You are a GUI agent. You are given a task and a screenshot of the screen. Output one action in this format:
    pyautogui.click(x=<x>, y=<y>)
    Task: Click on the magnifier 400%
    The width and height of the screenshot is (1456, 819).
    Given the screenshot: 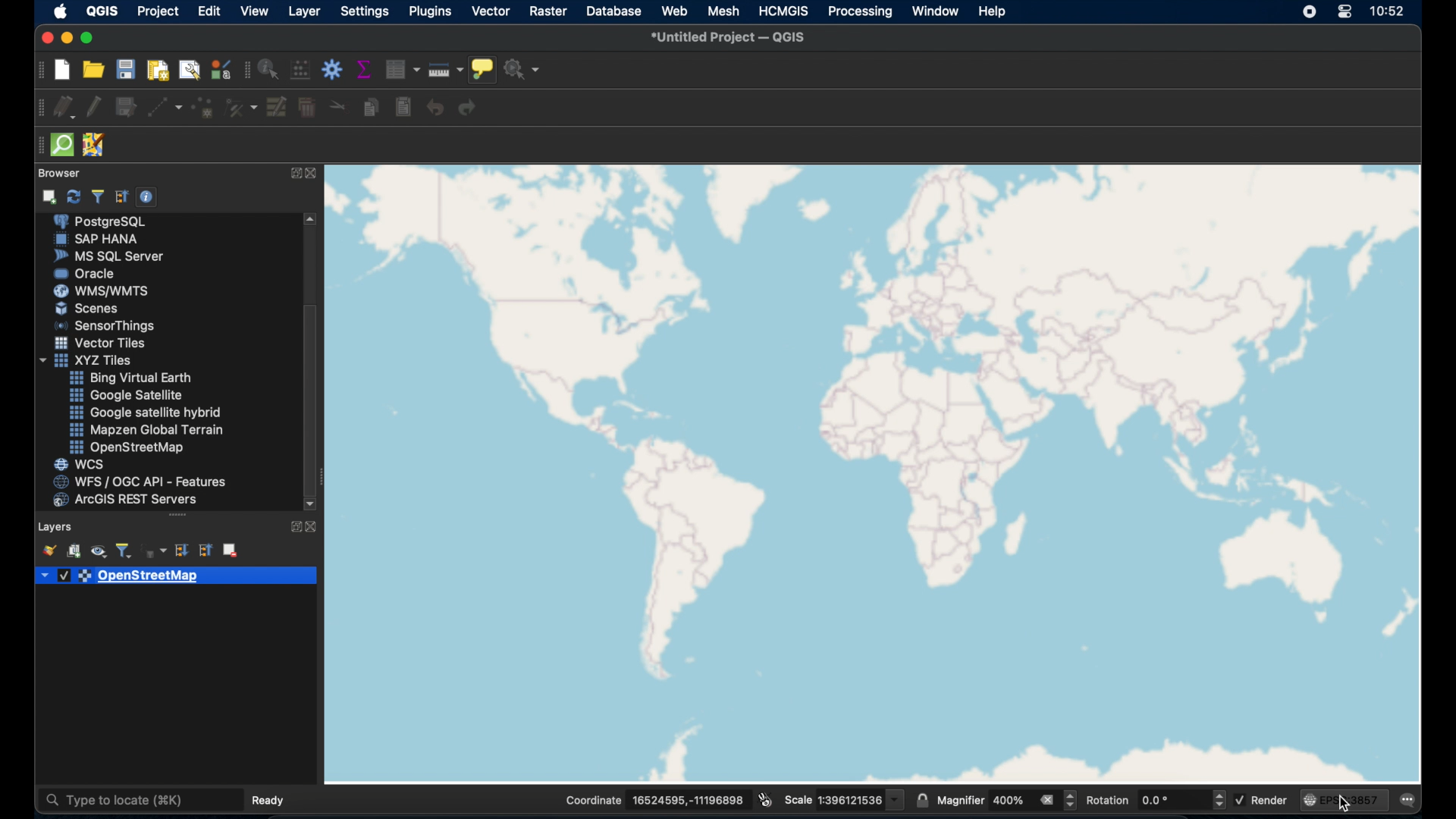 What is the action you would take?
    pyautogui.click(x=1008, y=798)
    